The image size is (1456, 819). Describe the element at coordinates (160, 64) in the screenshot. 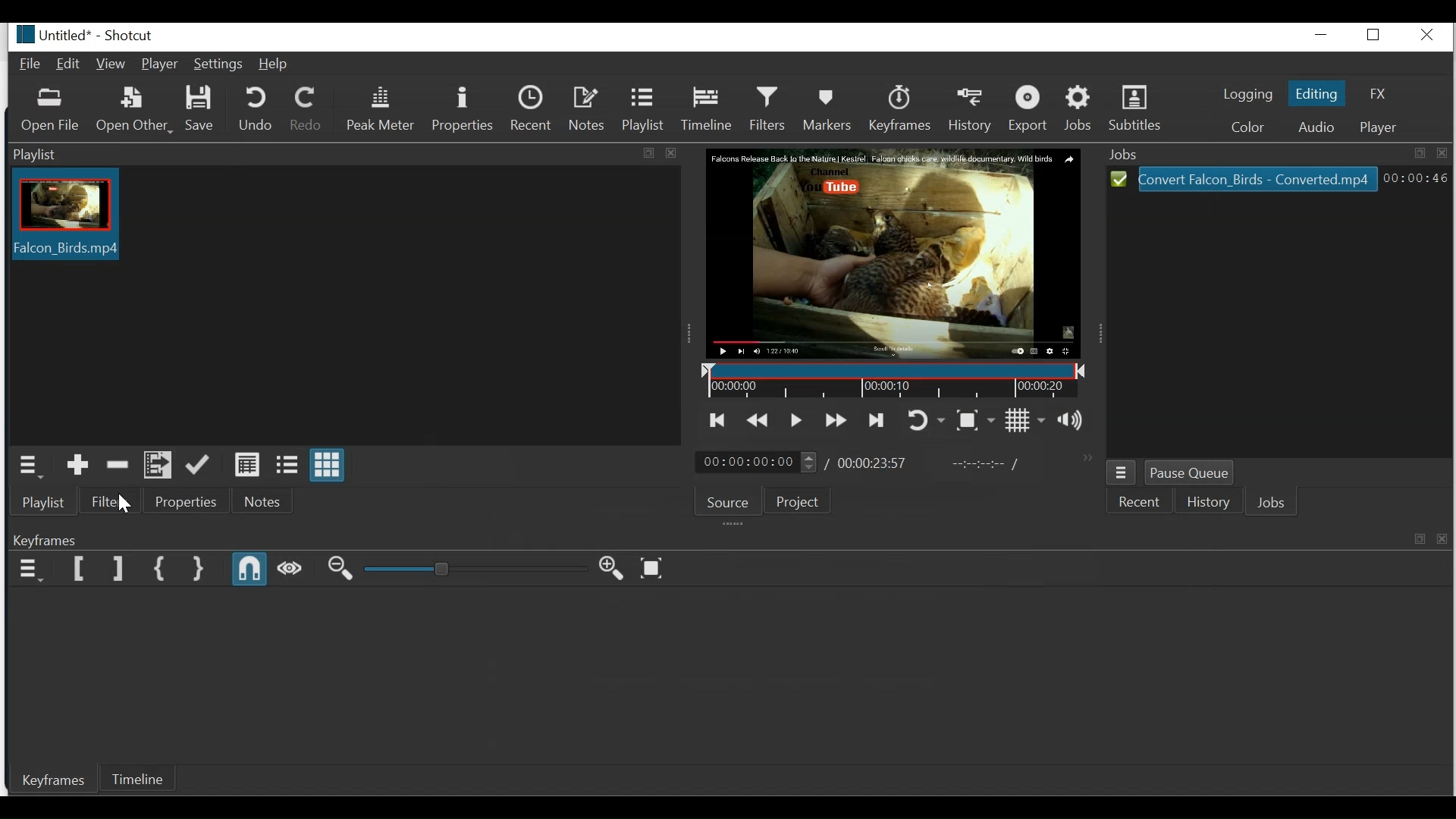

I see `Player` at that location.